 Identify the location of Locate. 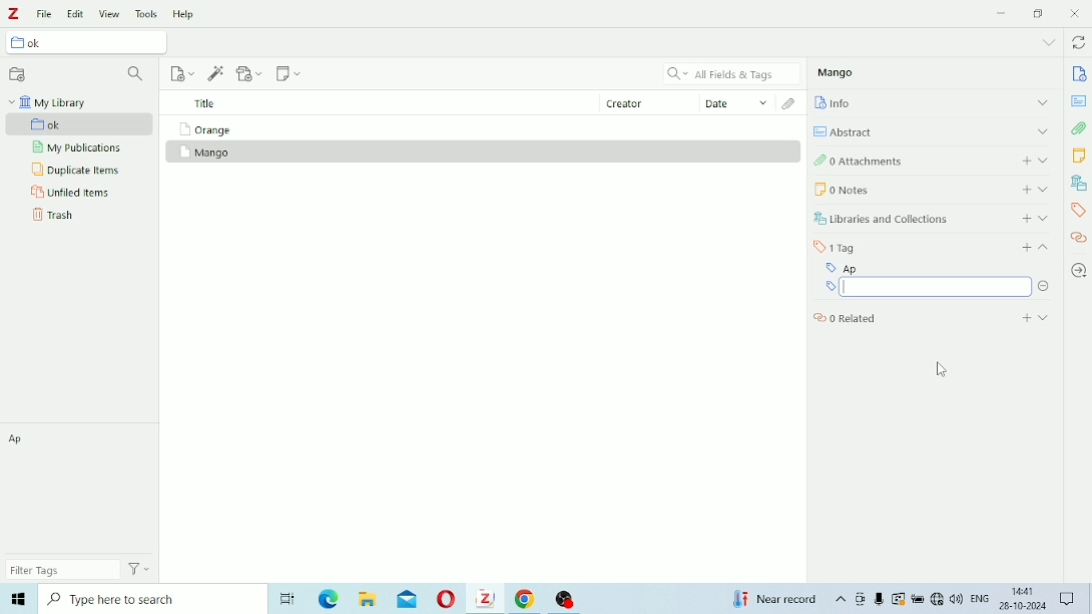
(1078, 271).